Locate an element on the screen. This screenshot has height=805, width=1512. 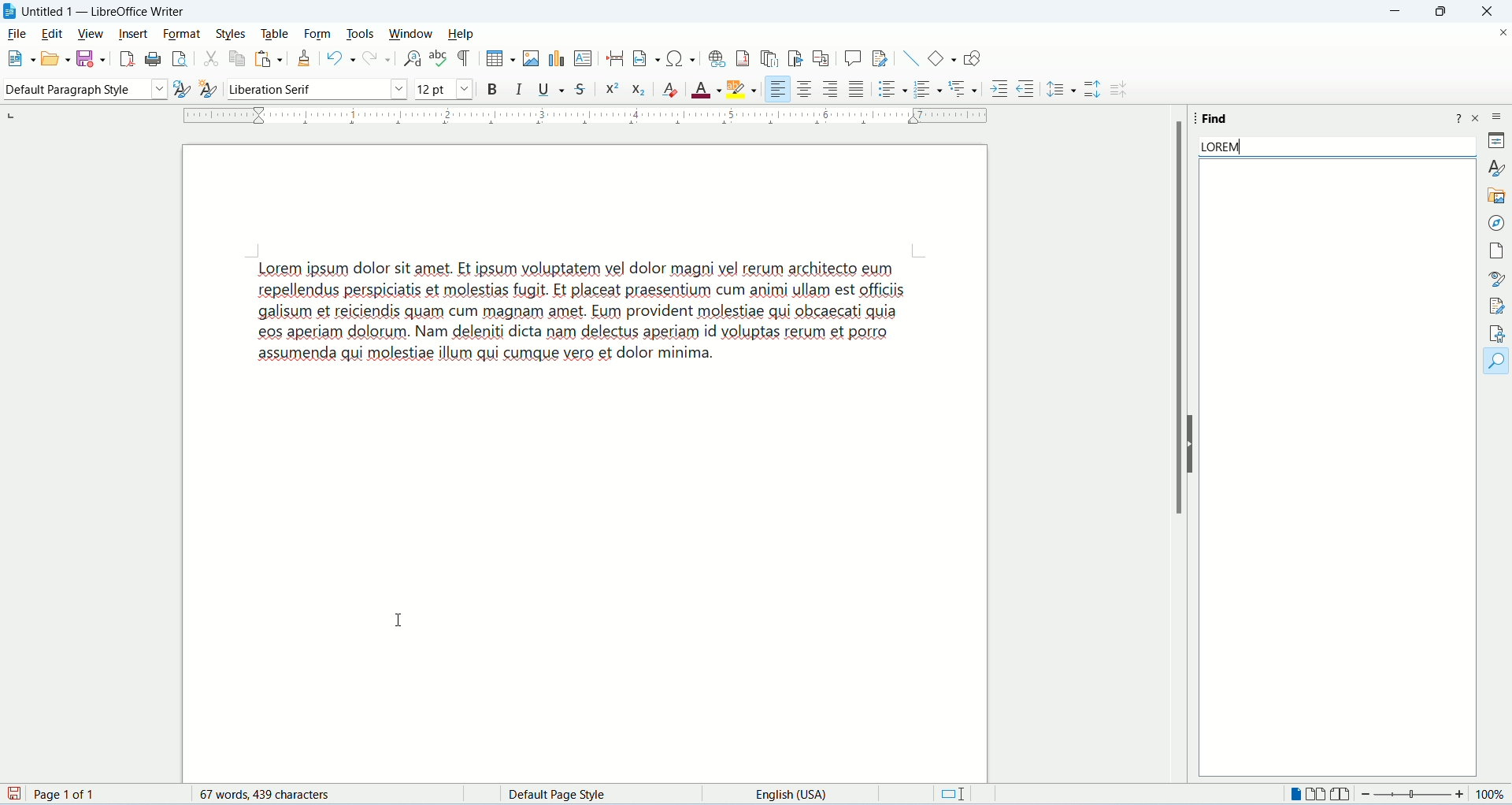
close is located at coordinates (1499, 35).